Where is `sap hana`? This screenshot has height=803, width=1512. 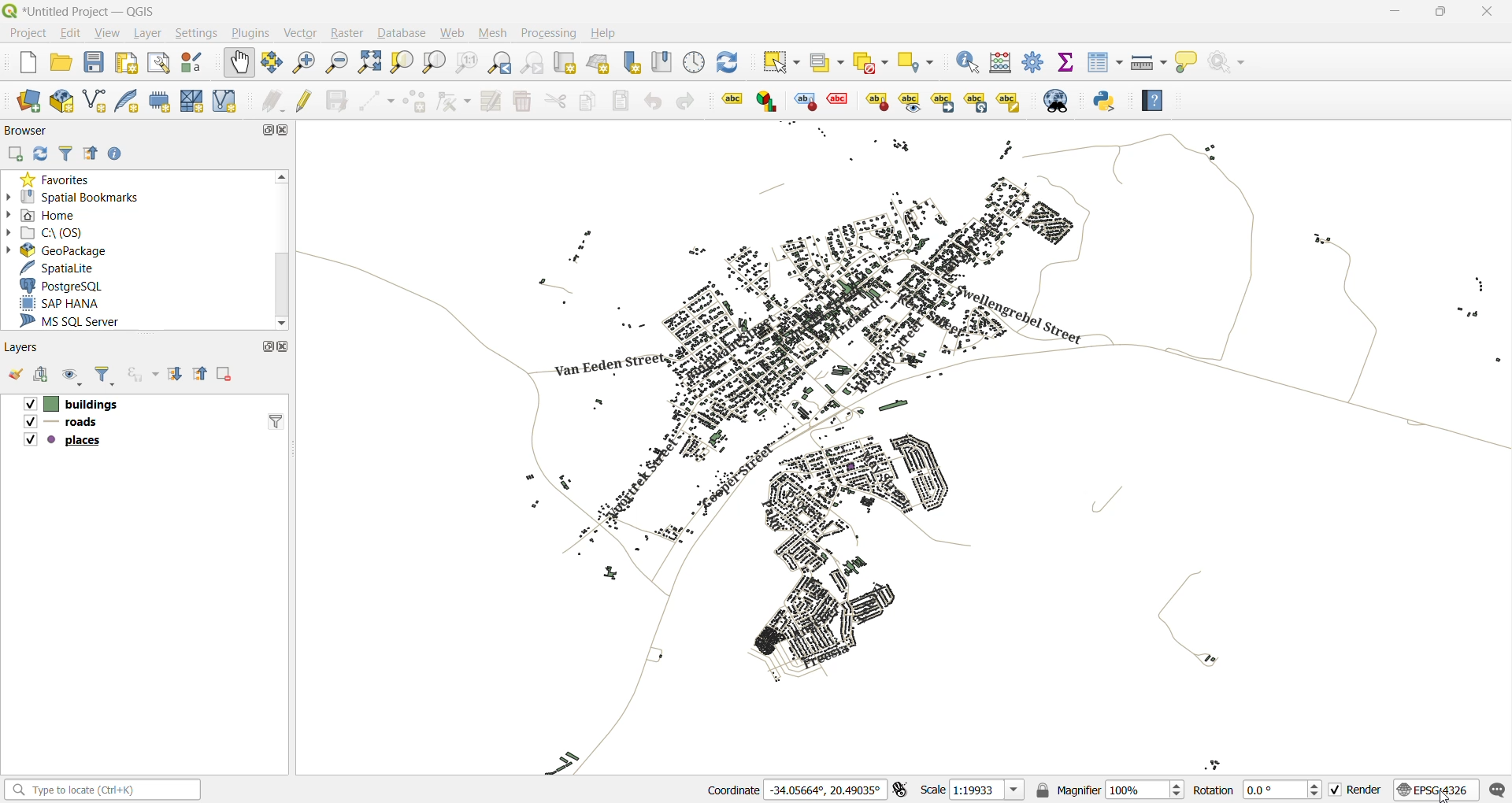
sap hana is located at coordinates (76, 303).